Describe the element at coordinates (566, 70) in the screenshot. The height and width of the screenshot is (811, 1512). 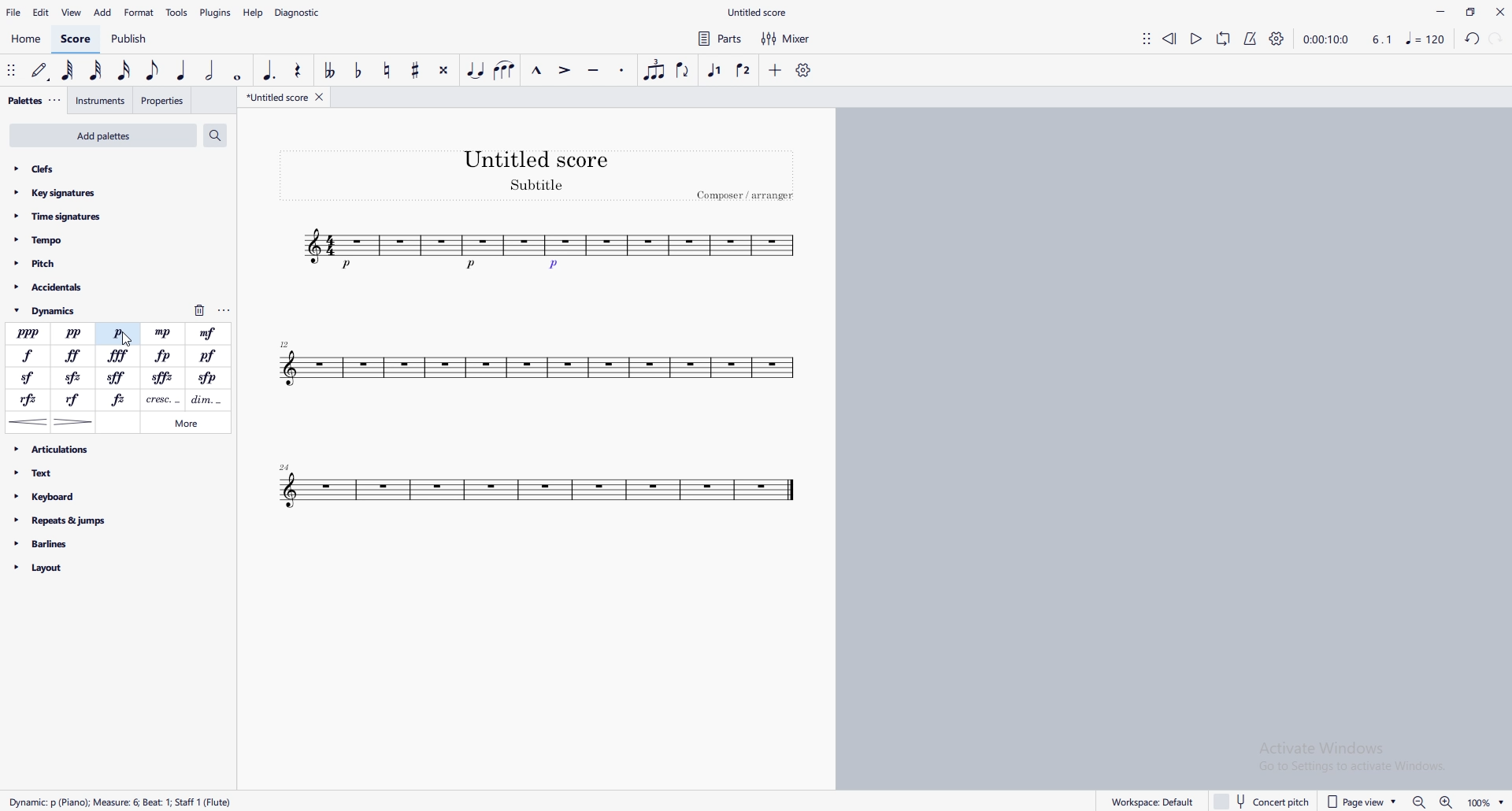
I see `accent` at that location.